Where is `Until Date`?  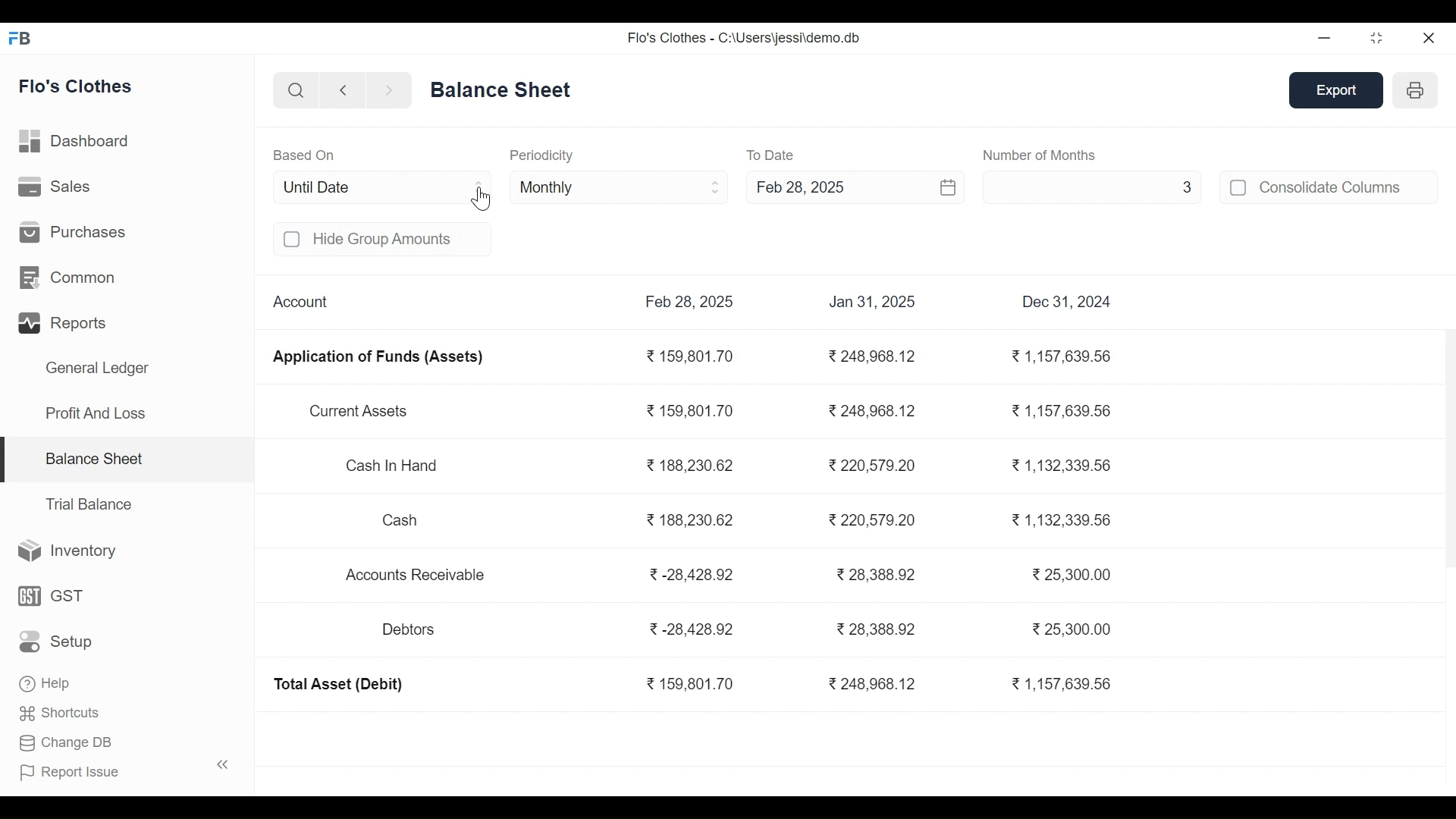
Until Date is located at coordinates (382, 187).